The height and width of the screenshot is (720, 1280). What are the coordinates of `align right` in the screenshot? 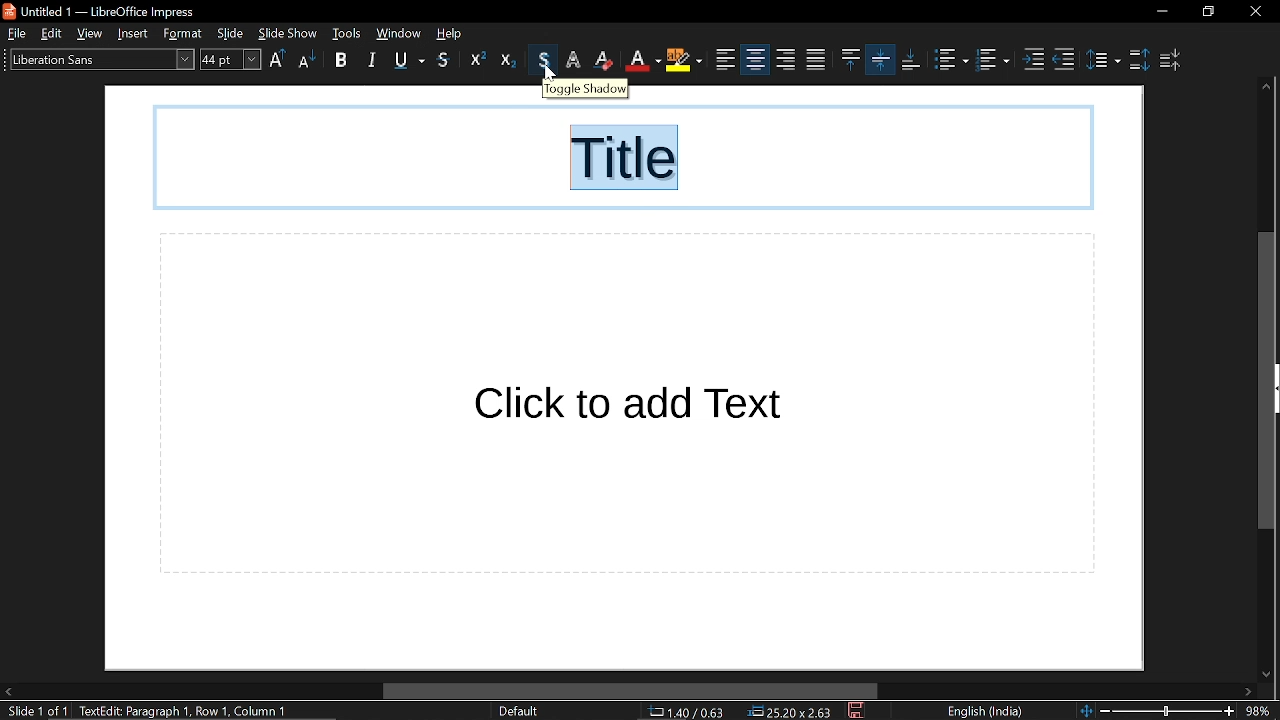 It's located at (754, 59).